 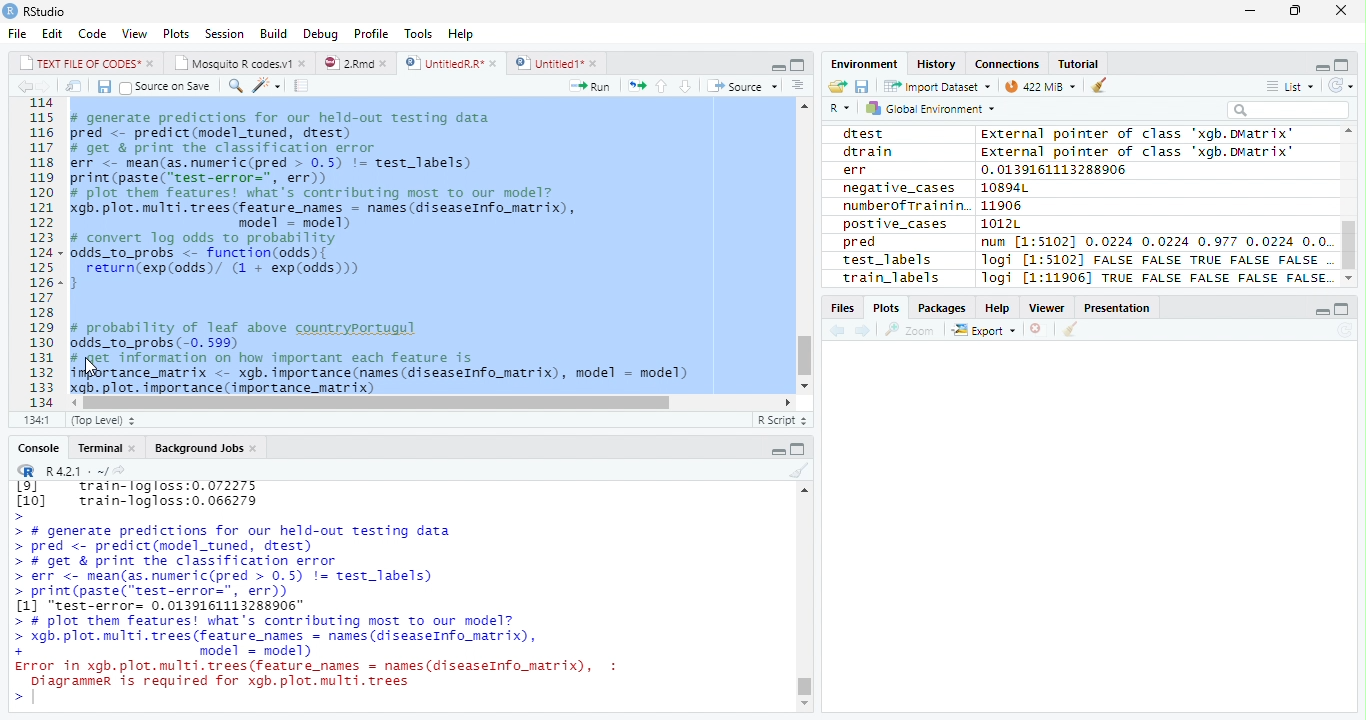 What do you see at coordinates (1349, 207) in the screenshot?
I see `Scroll` at bounding box center [1349, 207].